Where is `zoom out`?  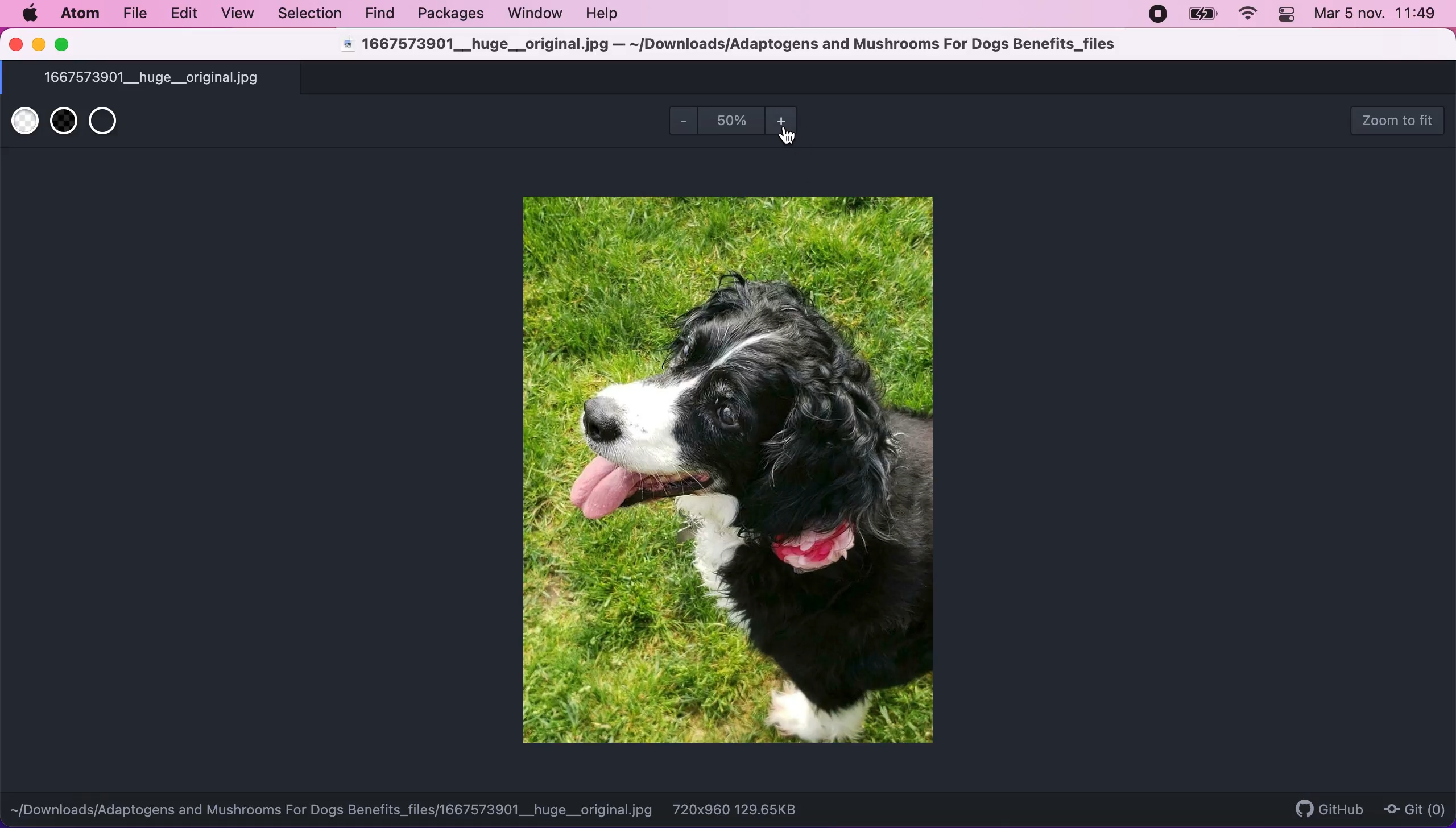 zoom out is located at coordinates (676, 123).